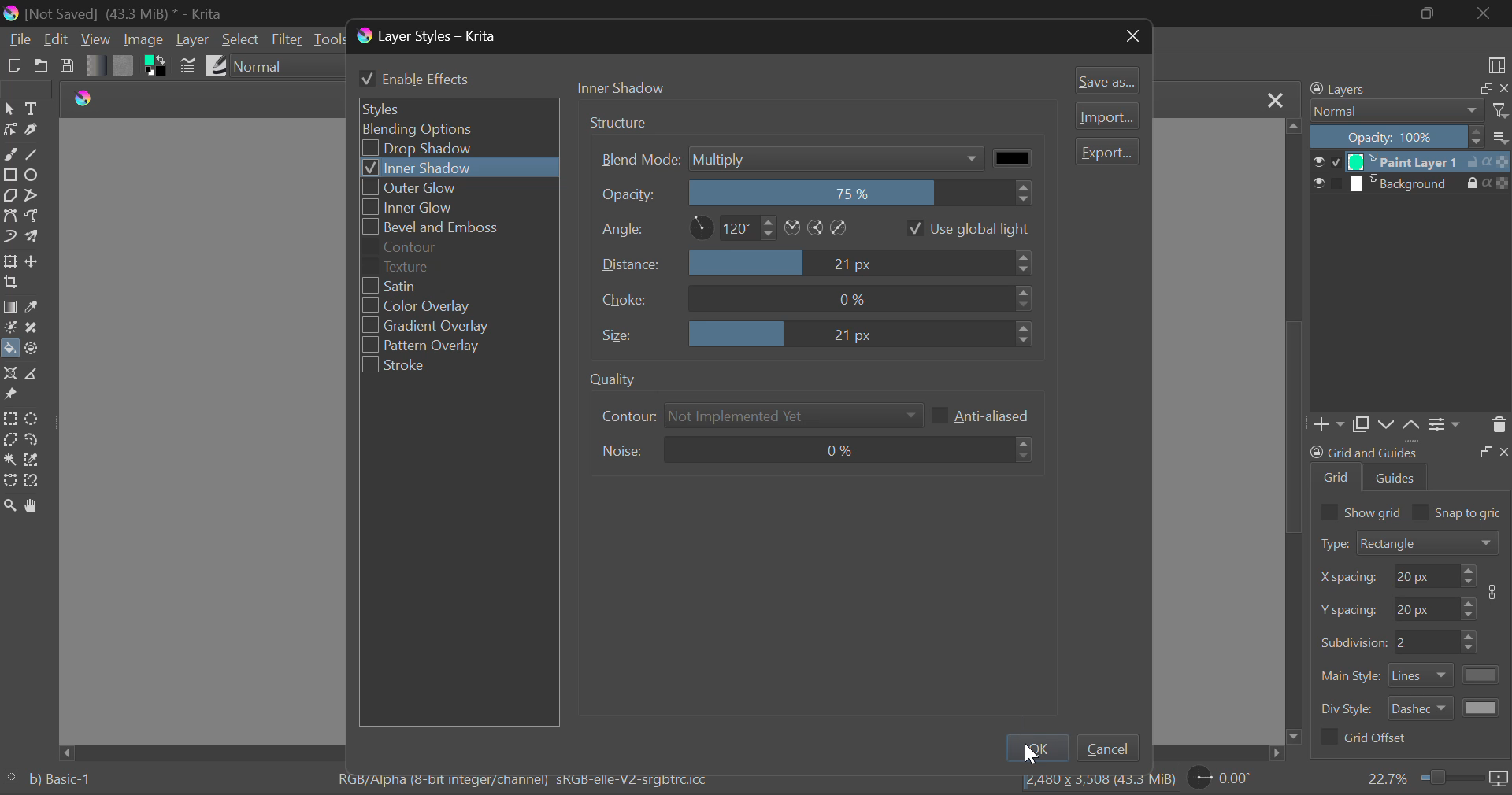  I want to click on logo, so click(83, 102).